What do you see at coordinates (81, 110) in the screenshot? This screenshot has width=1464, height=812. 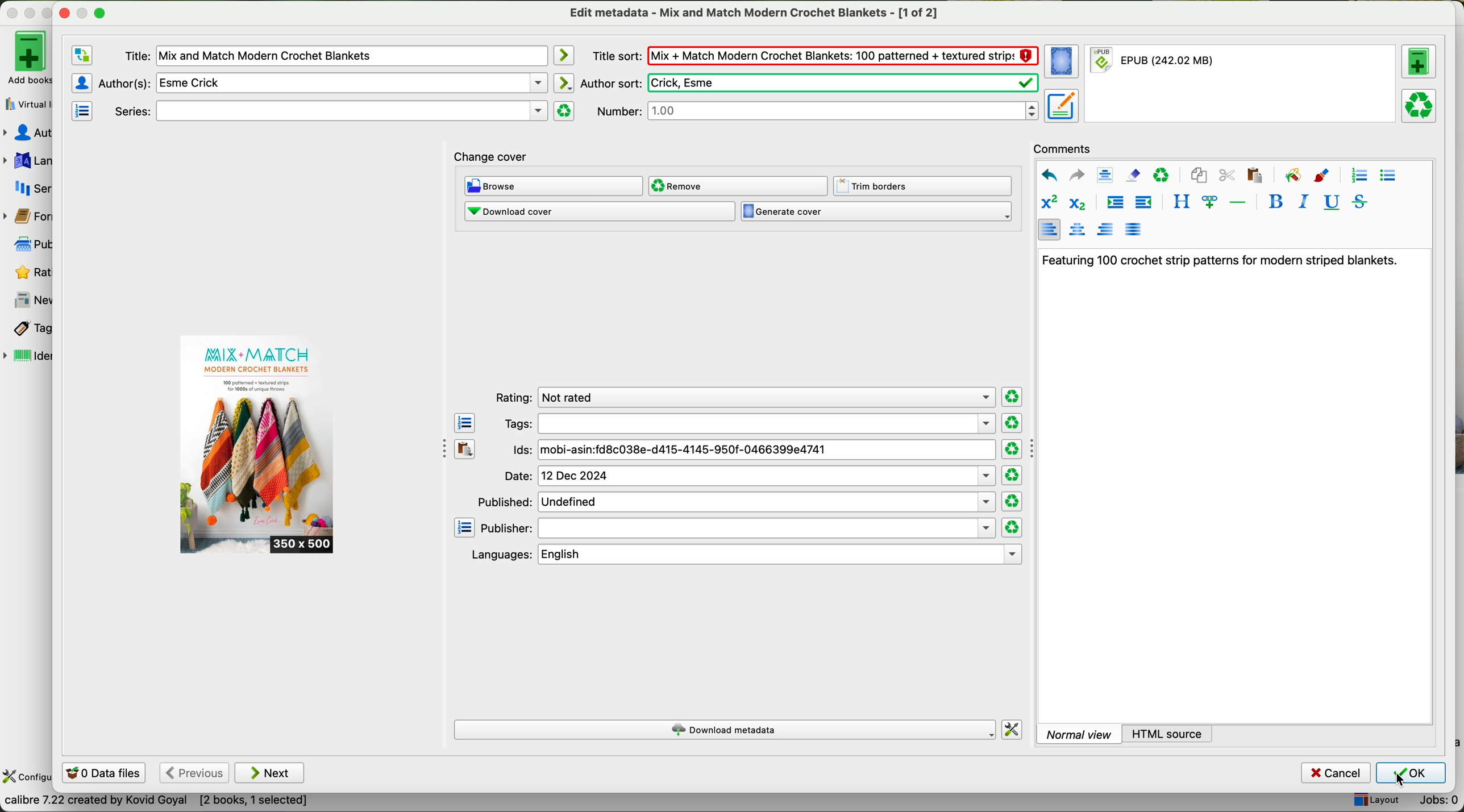 I see `set the series manage editor` at bounding box center [81, 110].